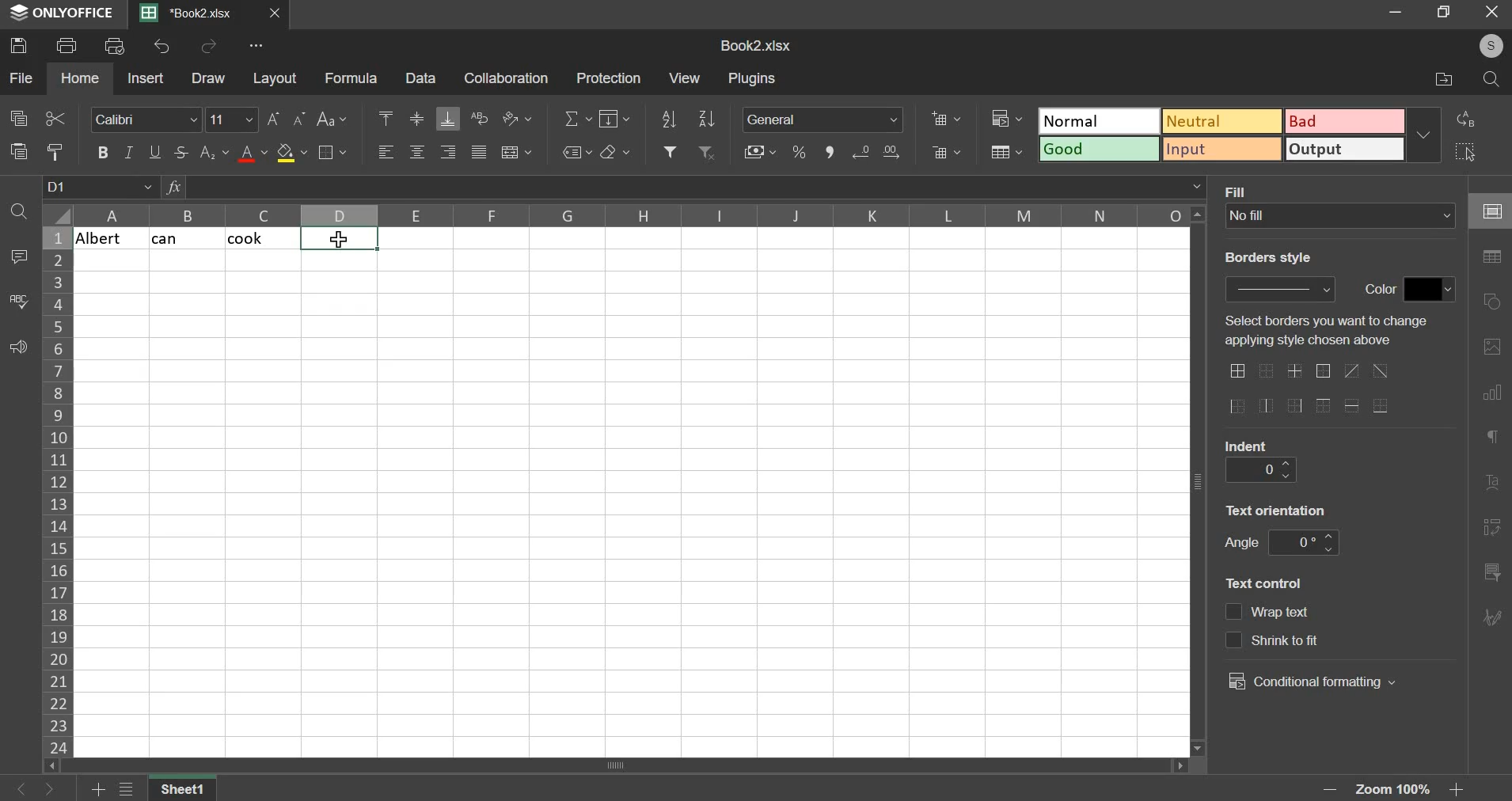 This screenshot has height=801, width=1512. What do you see at coordinates (1340, 216) in the screenshot?
I see `fill type` at bounding box center [1340, 216].